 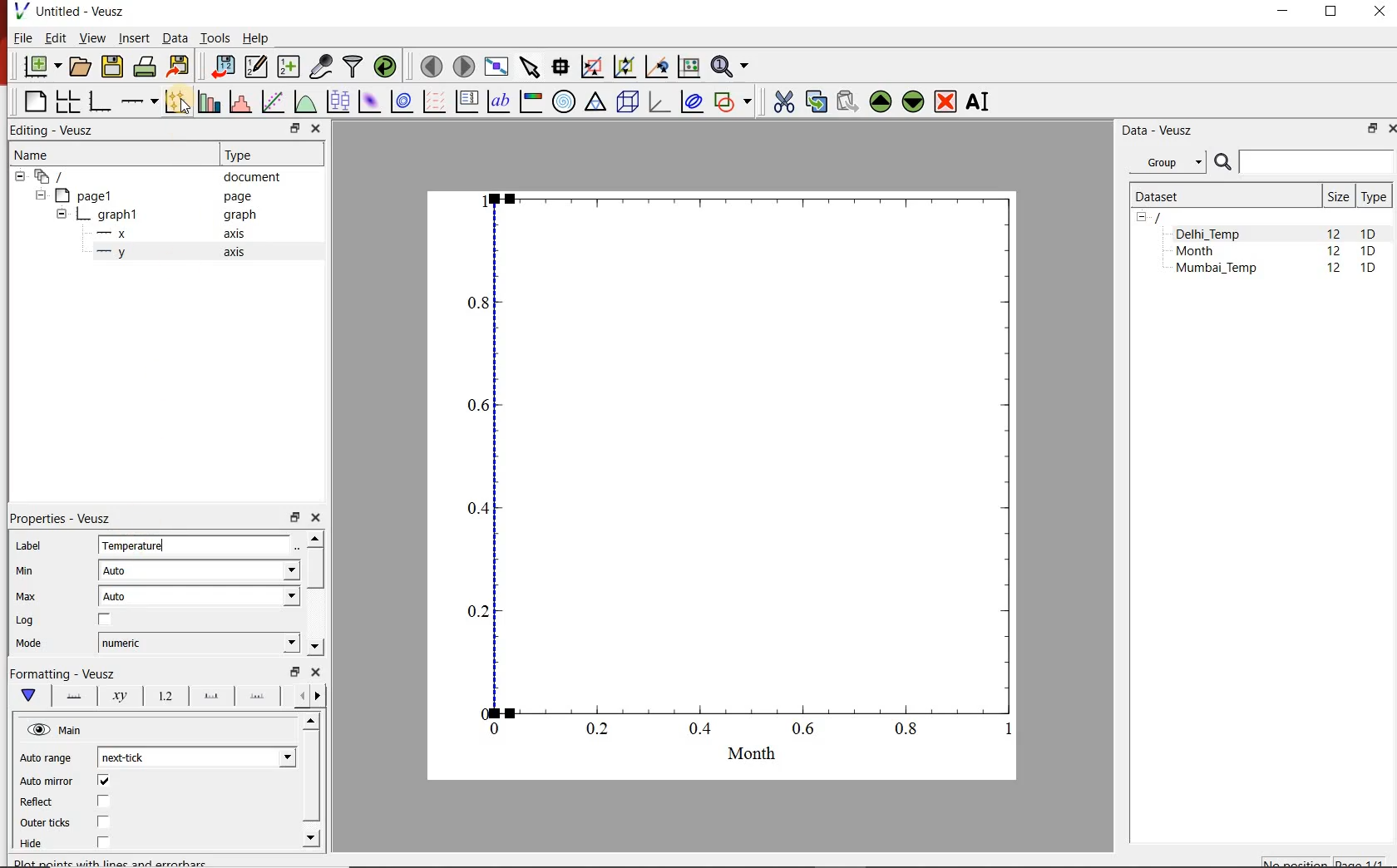 I want to click on 3d scene, so click(x=626, y=102).